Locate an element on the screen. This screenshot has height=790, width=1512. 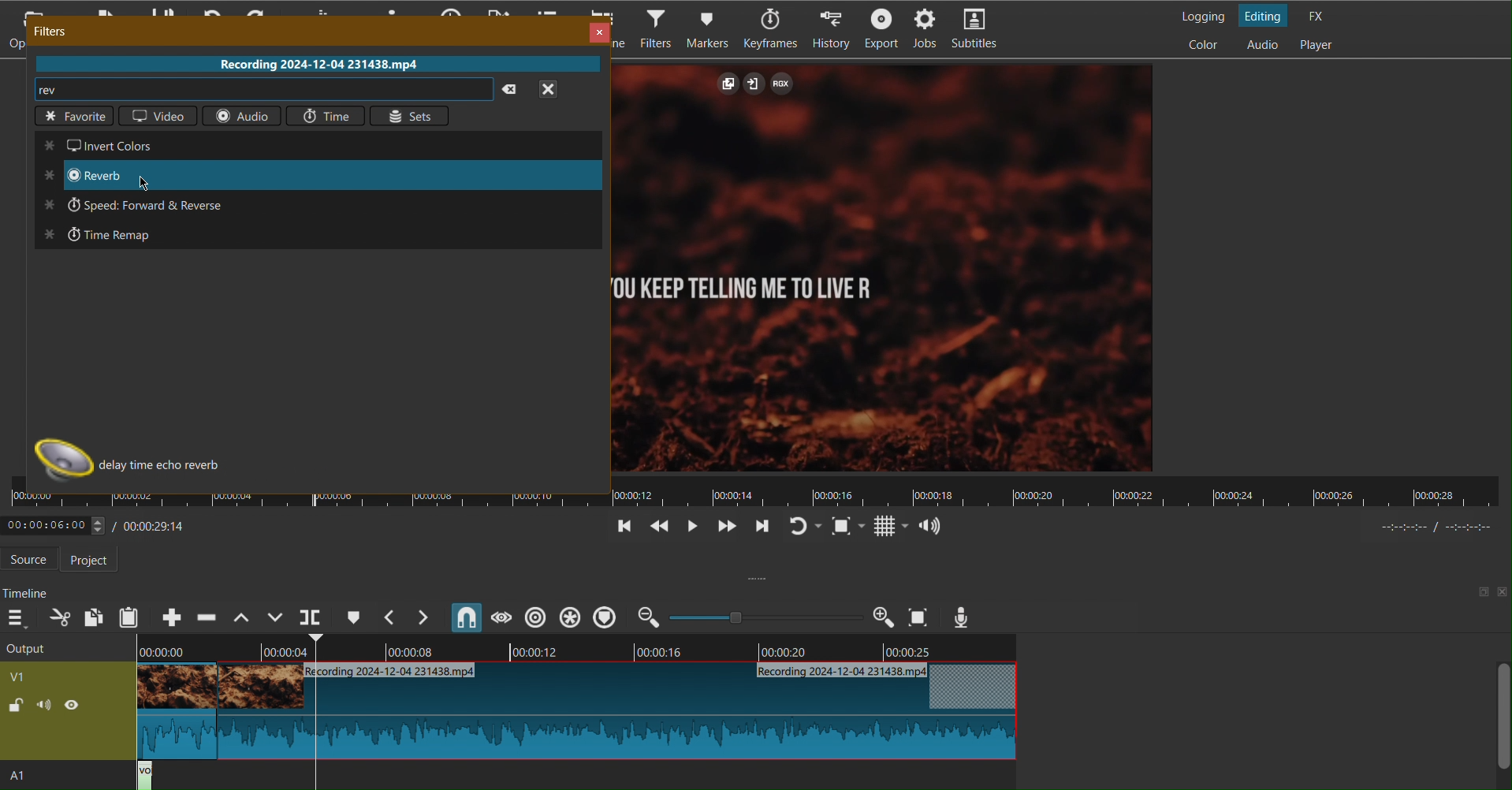
maximize is located at coordinates (1477, 591).